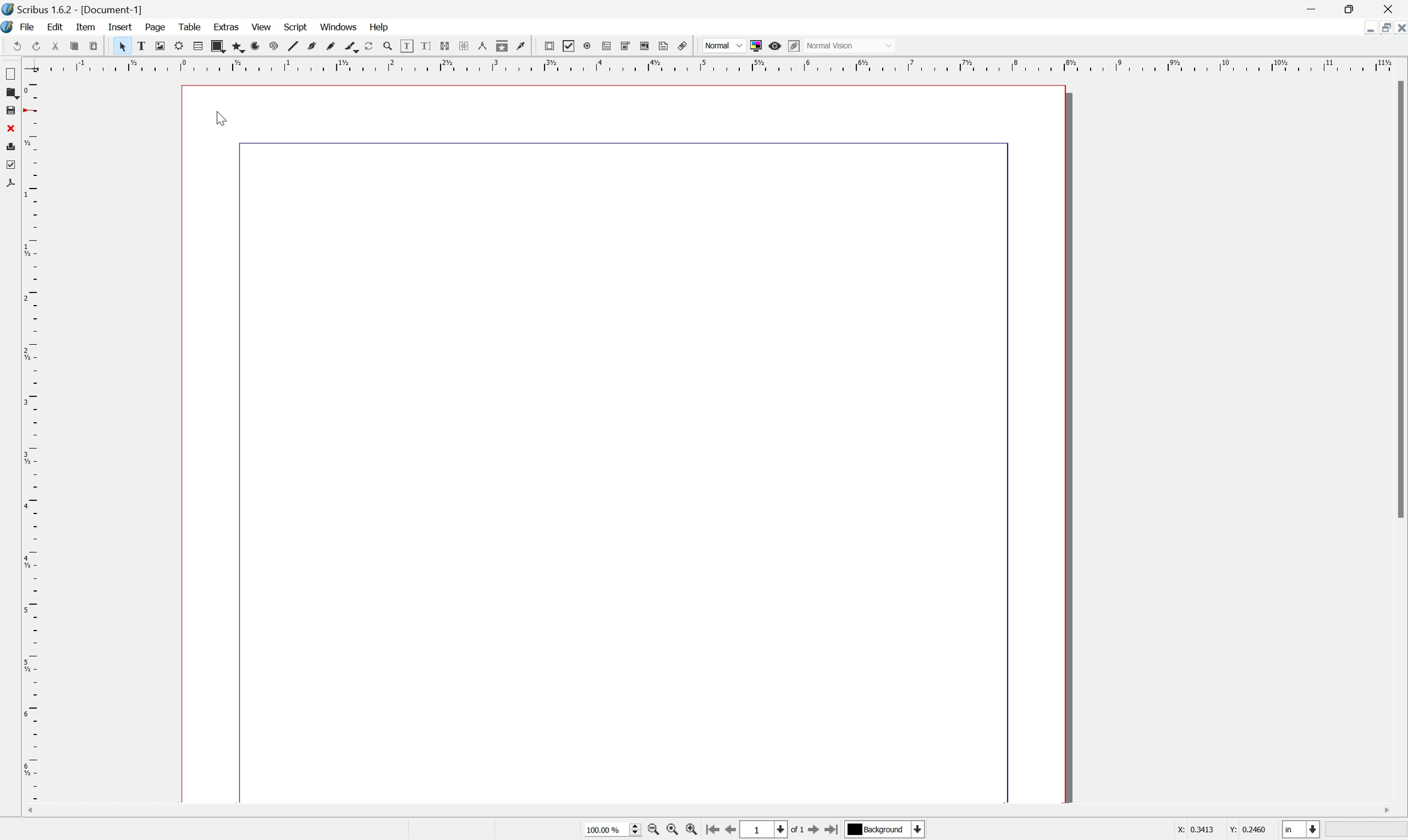  I want to click on New, so click(11, 72).